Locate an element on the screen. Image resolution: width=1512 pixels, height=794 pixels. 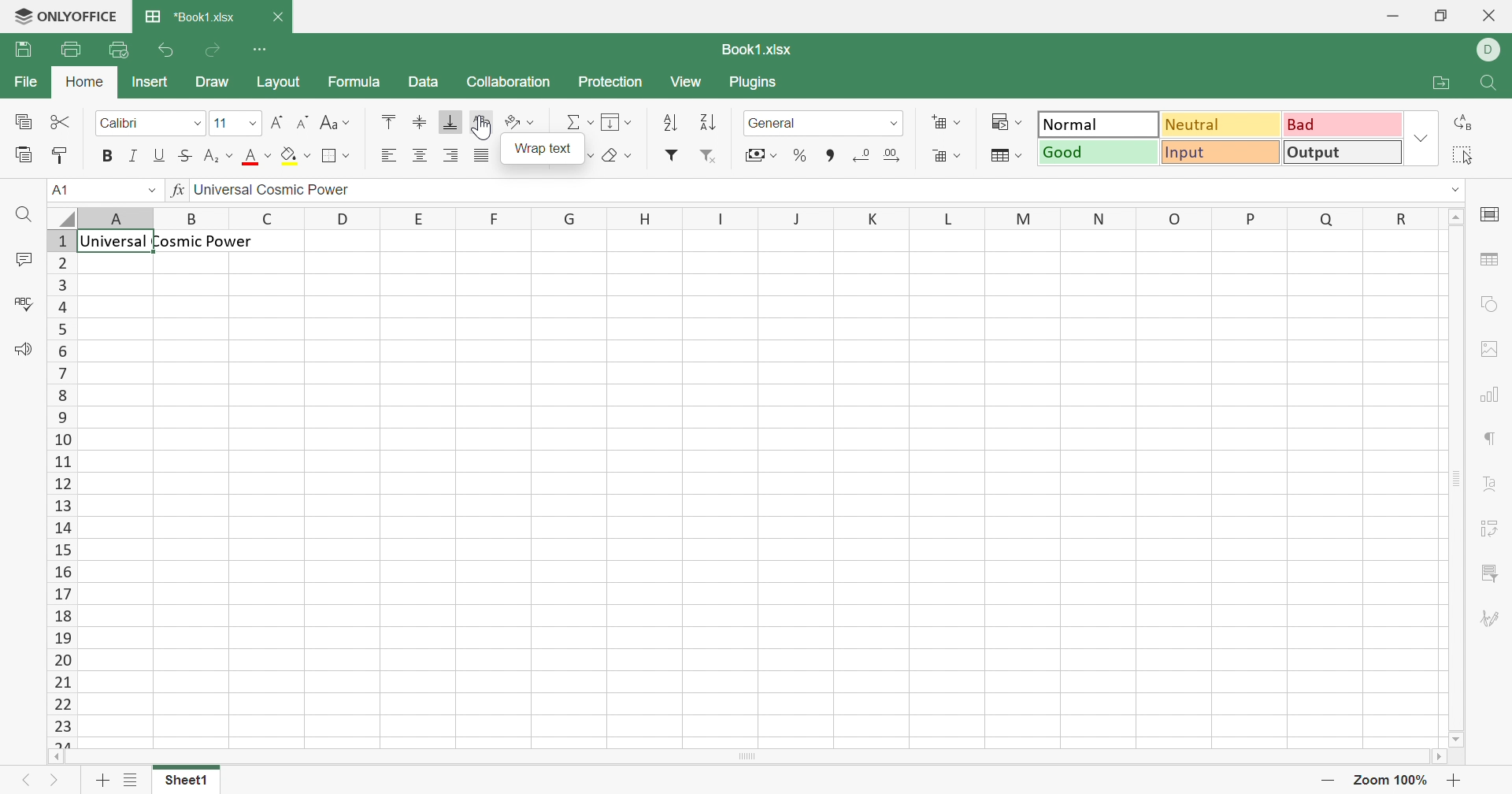
Font Color is located at coordinates (258, 155).